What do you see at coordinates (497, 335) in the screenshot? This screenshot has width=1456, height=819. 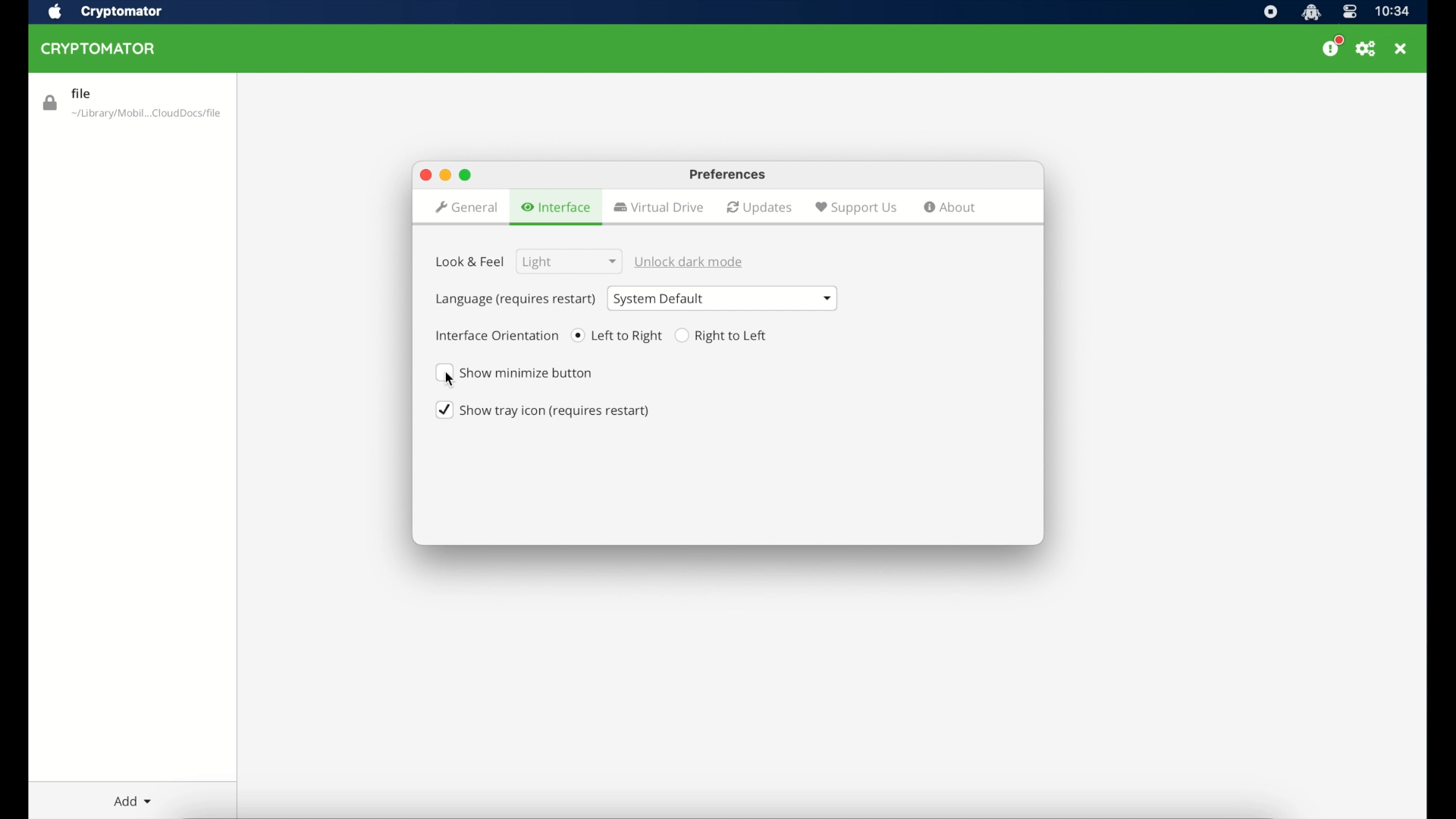 I see `interface orientation` at bounding box center [497, 335].